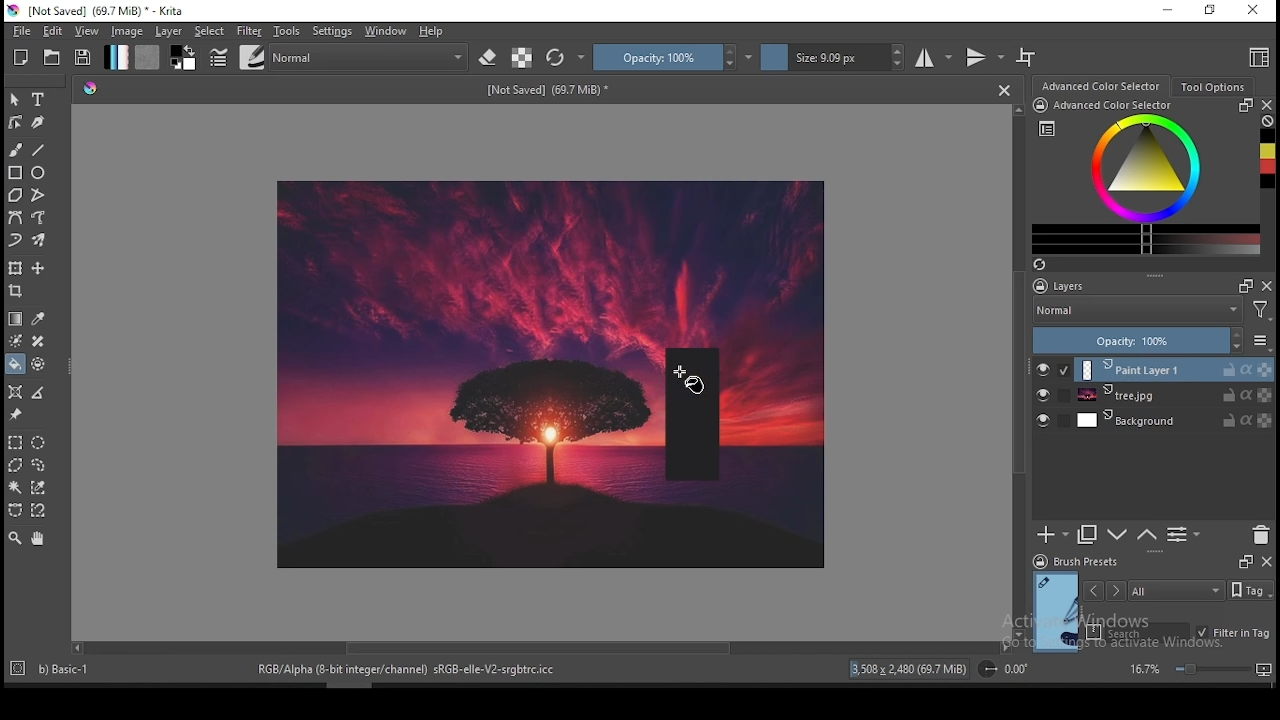 This screenshot has width=1280, height=720. Describe the element at coordinates (16, 218) in the screenshot. I see `bezier curve tool` at that location.